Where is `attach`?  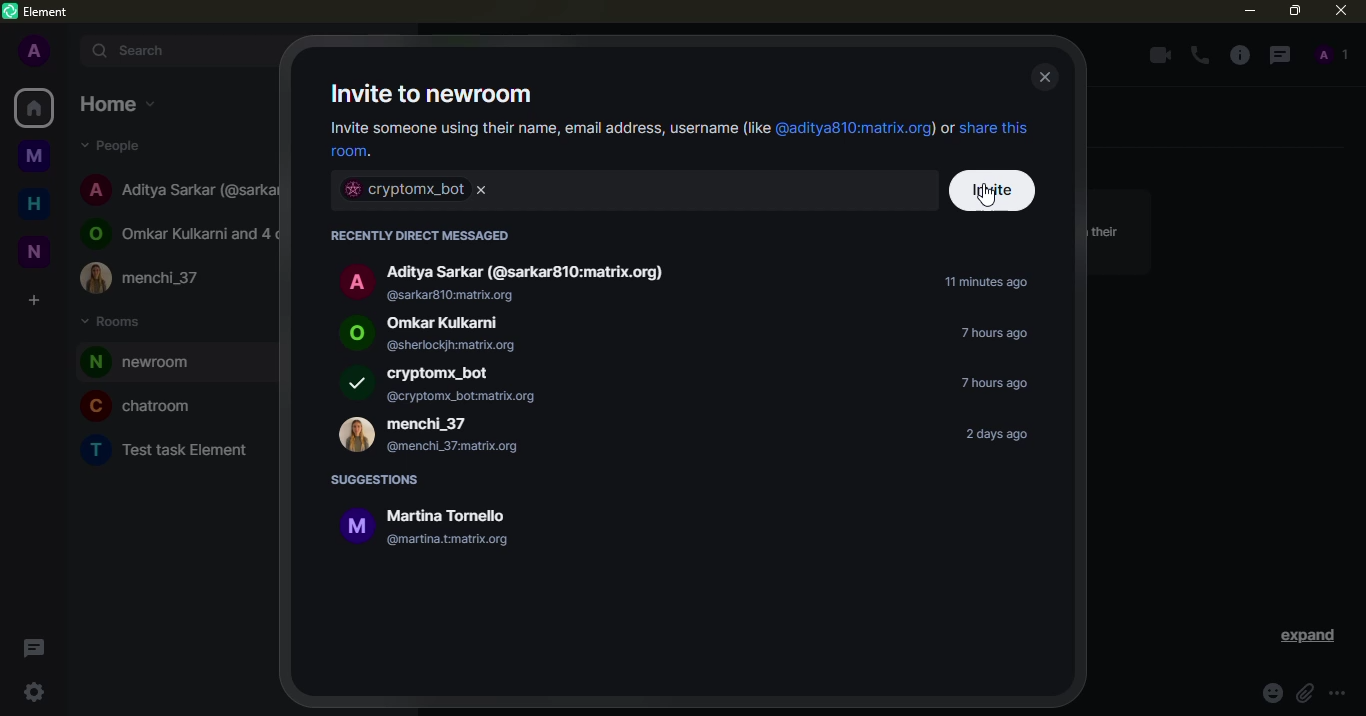 attach is located at coordinates (1303, 694).